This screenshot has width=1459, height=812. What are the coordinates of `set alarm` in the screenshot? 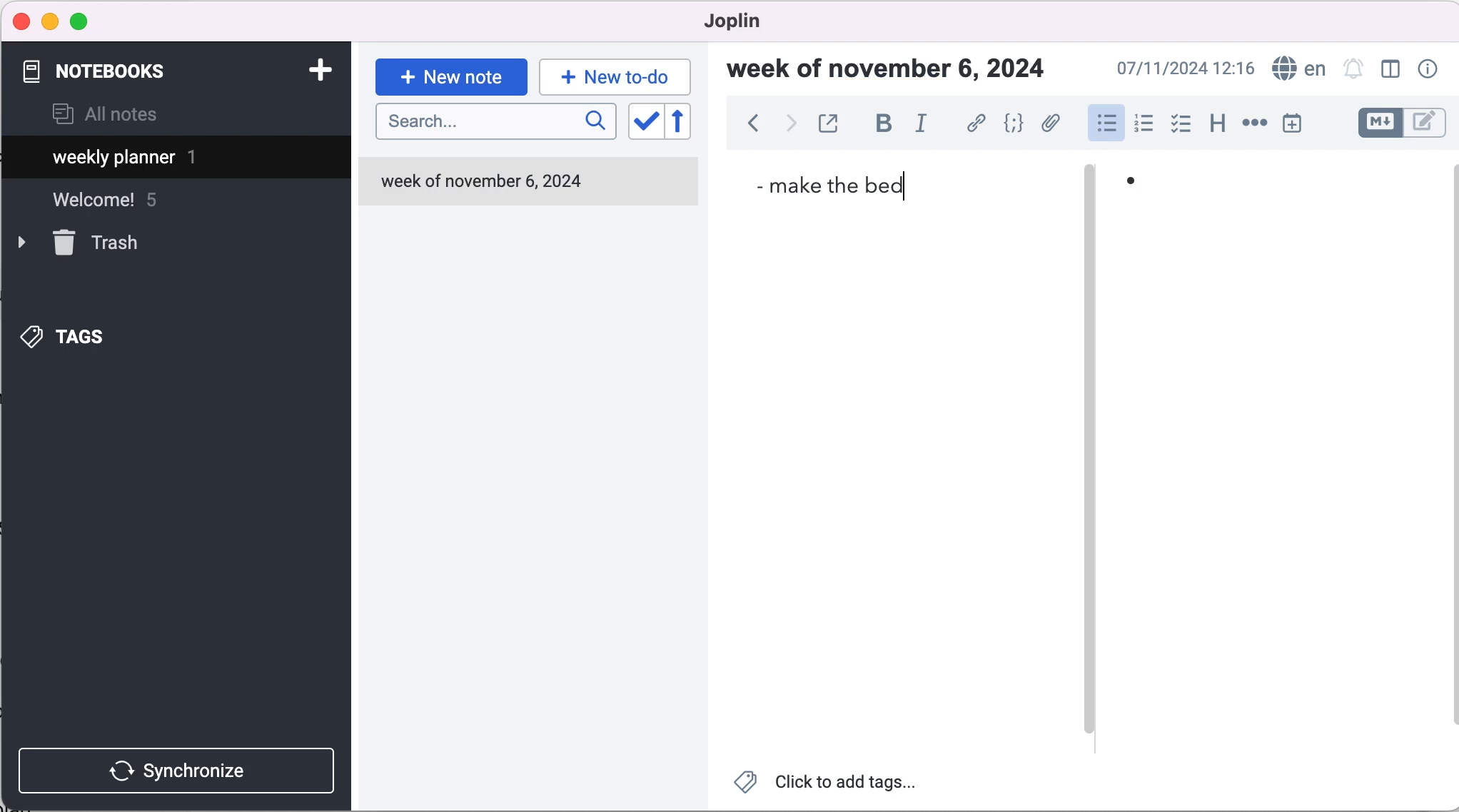 It's located at (1354, 71).